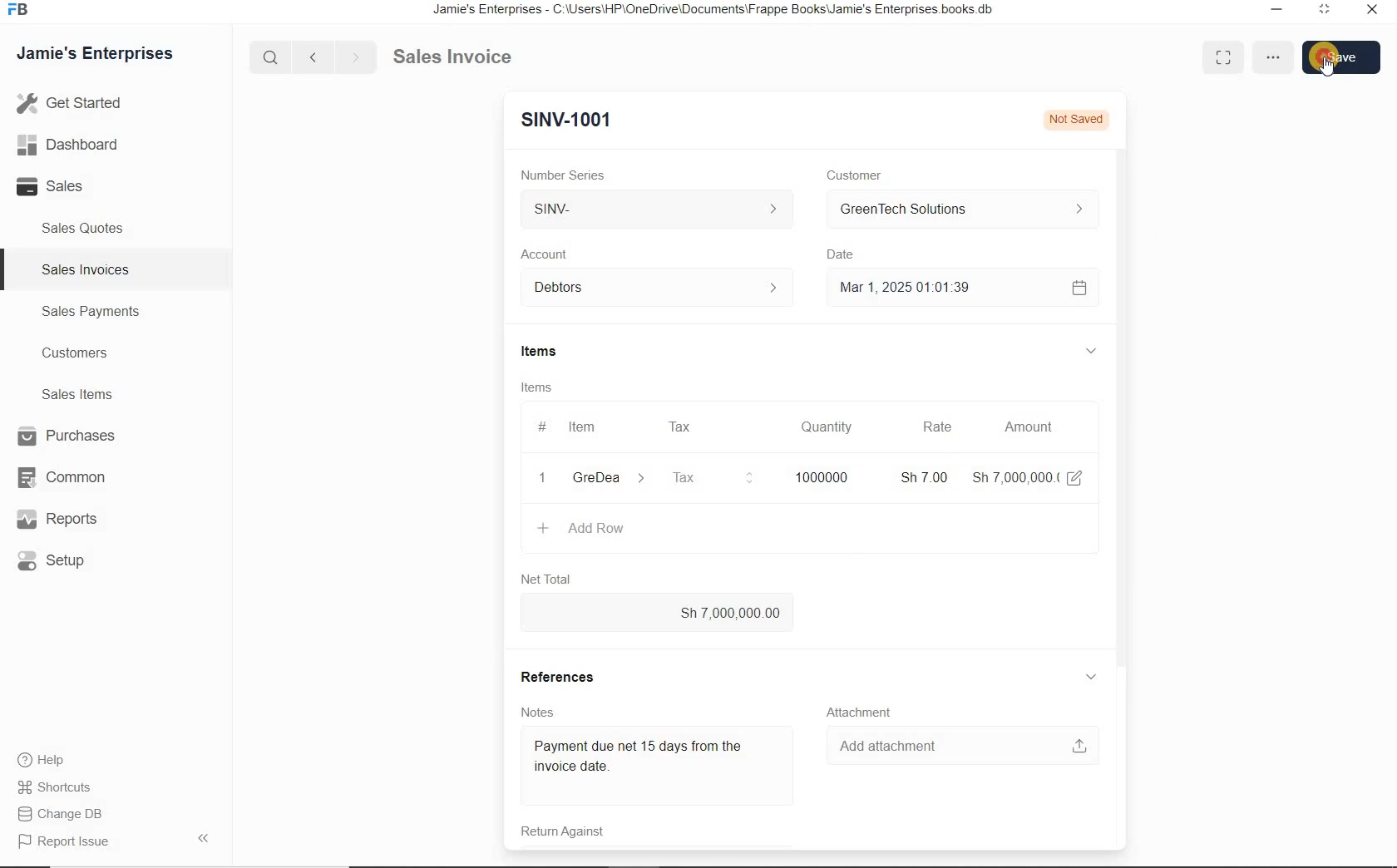 The height and width of the screenshot is (868, 1397). Describe the element at coordinates (940, 288) in the screenshot. I see `Mar 1,2025 01:01:39` at that location.